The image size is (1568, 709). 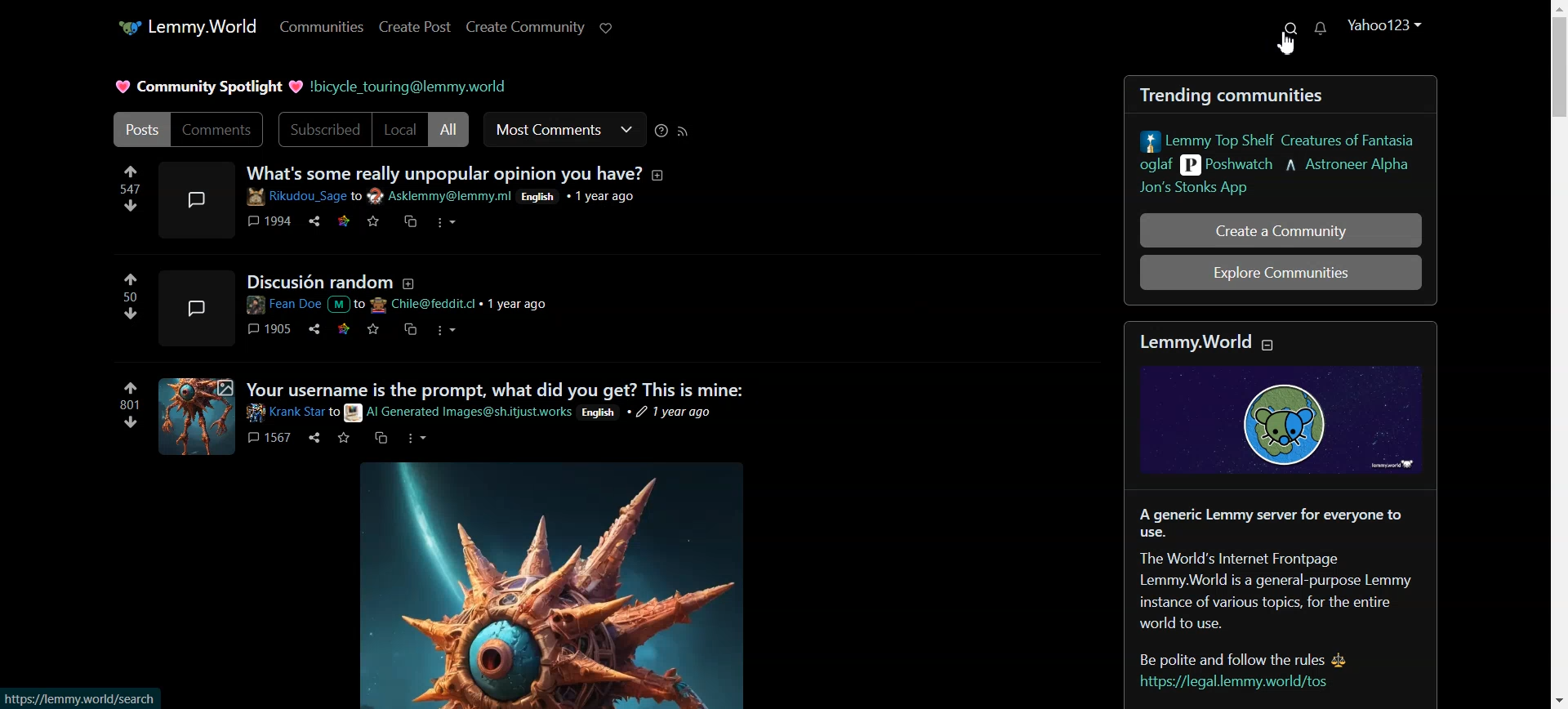 I want to click on Local, so click(x=400, y=128).